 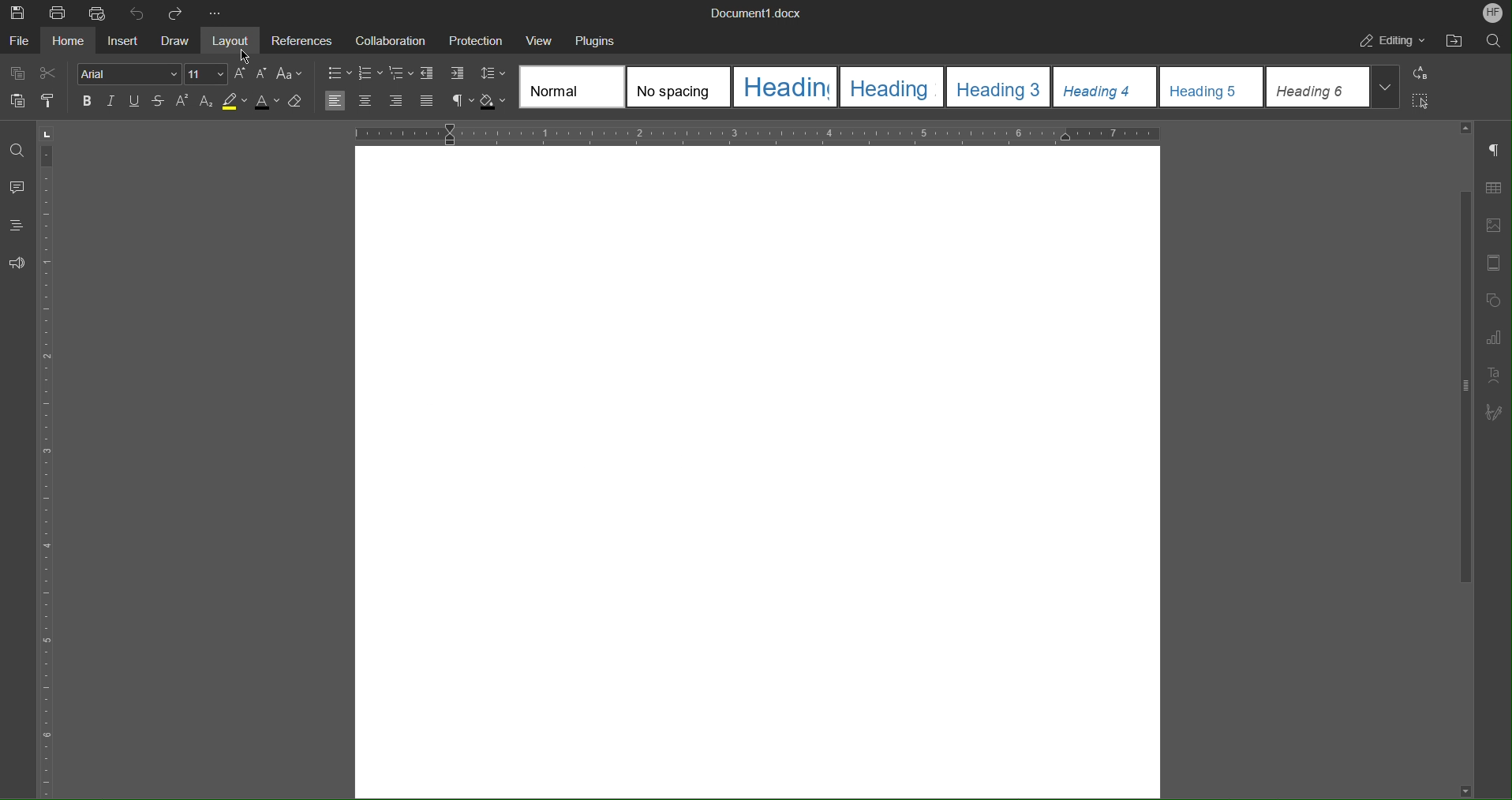 I want to click on Layout, so click(x=234, y=40).